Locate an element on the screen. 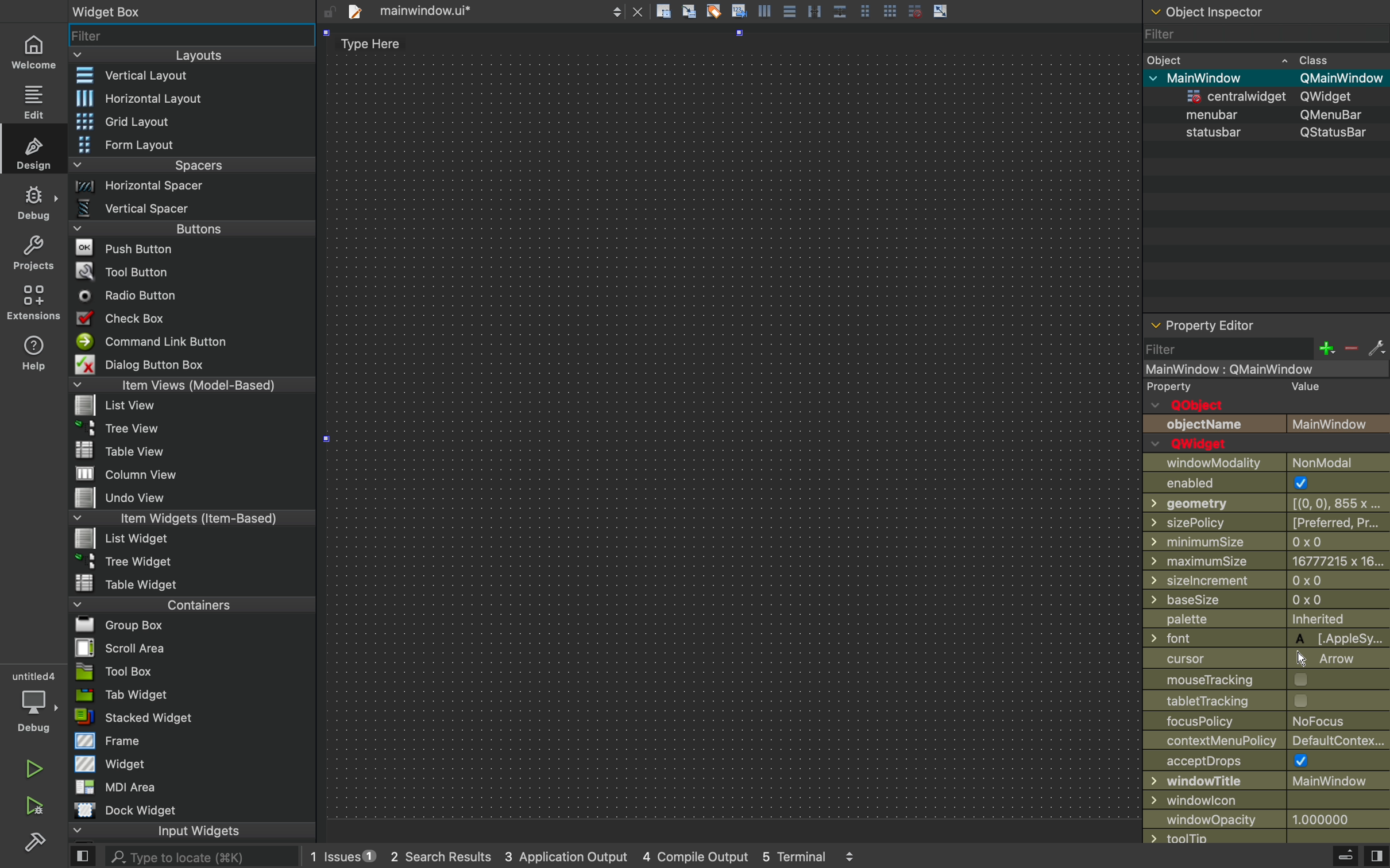 Image resolution: width=1390 pixels, height=868 pixels. tree widget is located at coordinates (194, 560).